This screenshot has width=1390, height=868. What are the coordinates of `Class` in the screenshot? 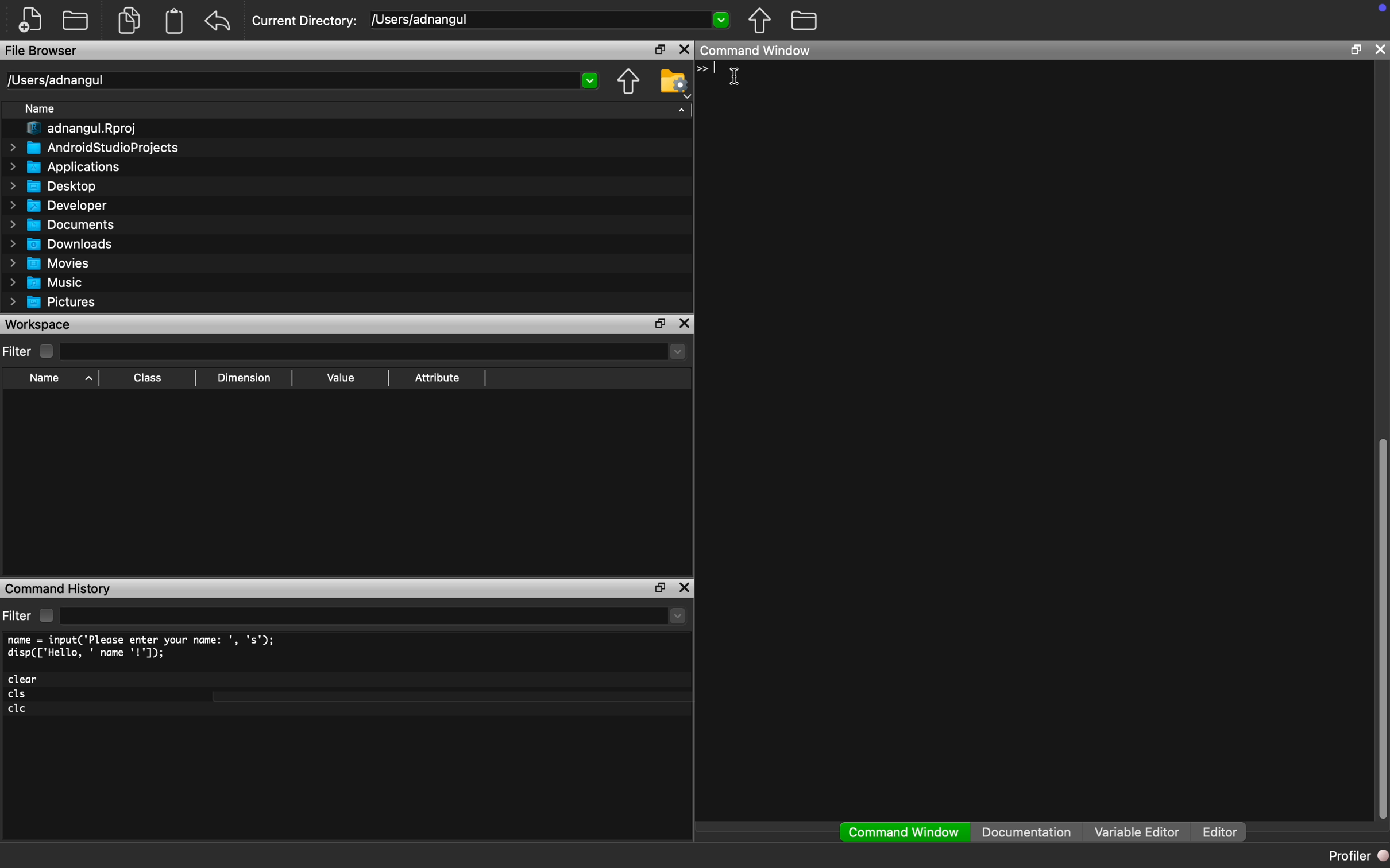 It's located at (145, 378).